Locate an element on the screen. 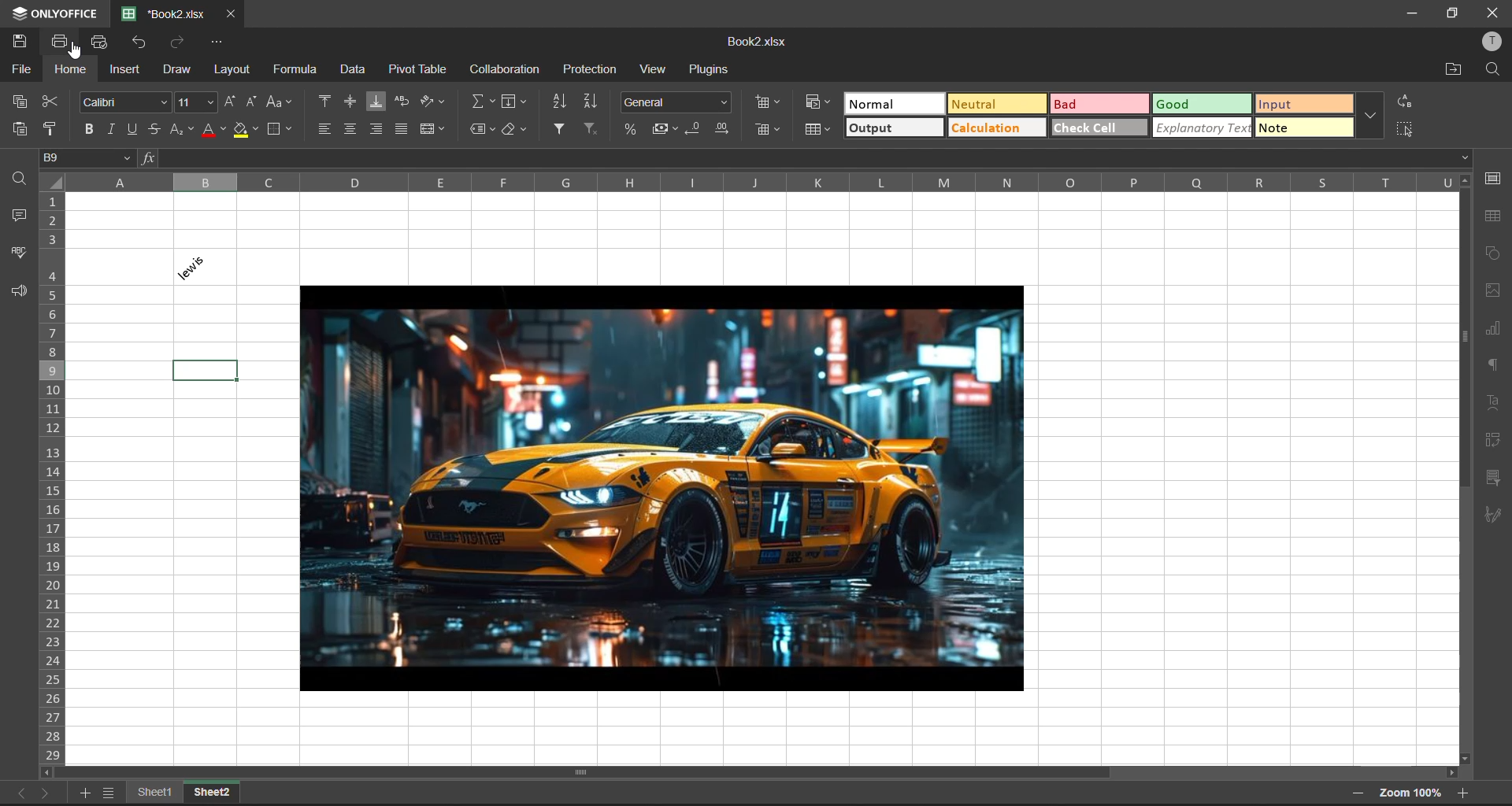 The height and width of the screenshot is (806, 1512). file name is located at coordinates (756, 40).